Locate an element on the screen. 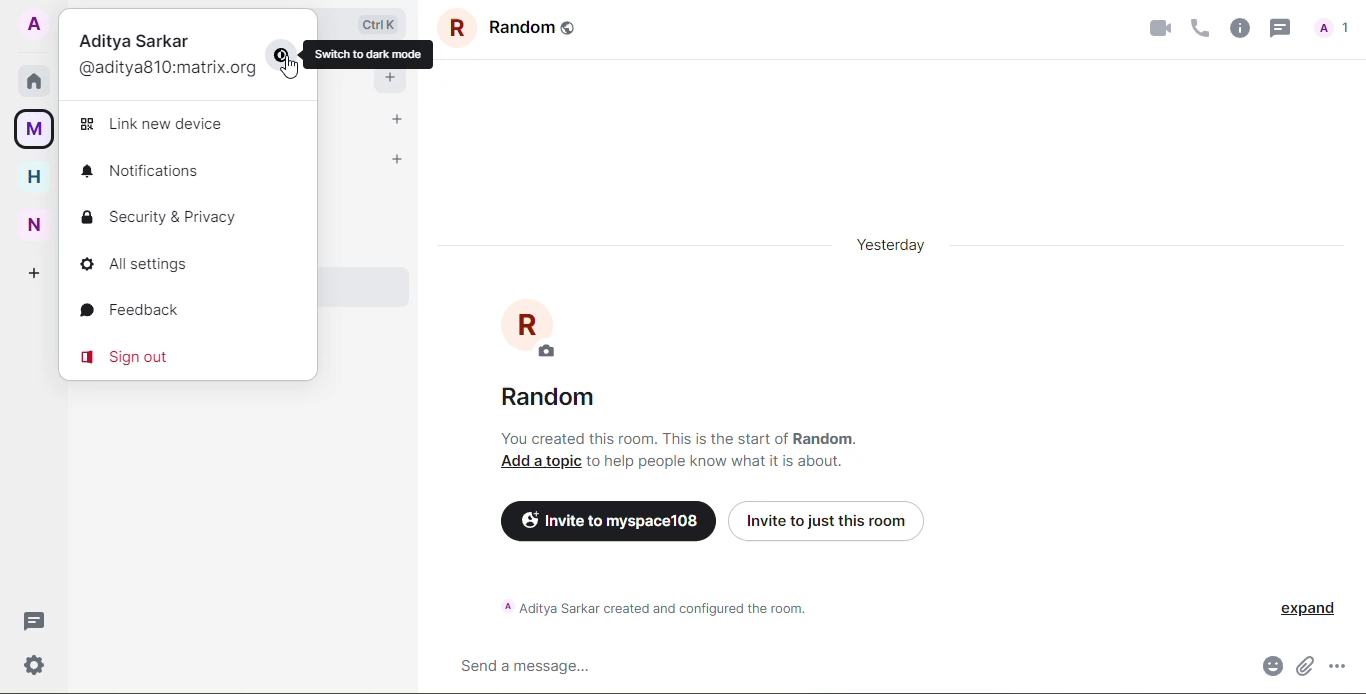 The height and width of the screenshot is (694, 1366). video call is located at coordinates (1152, 28).